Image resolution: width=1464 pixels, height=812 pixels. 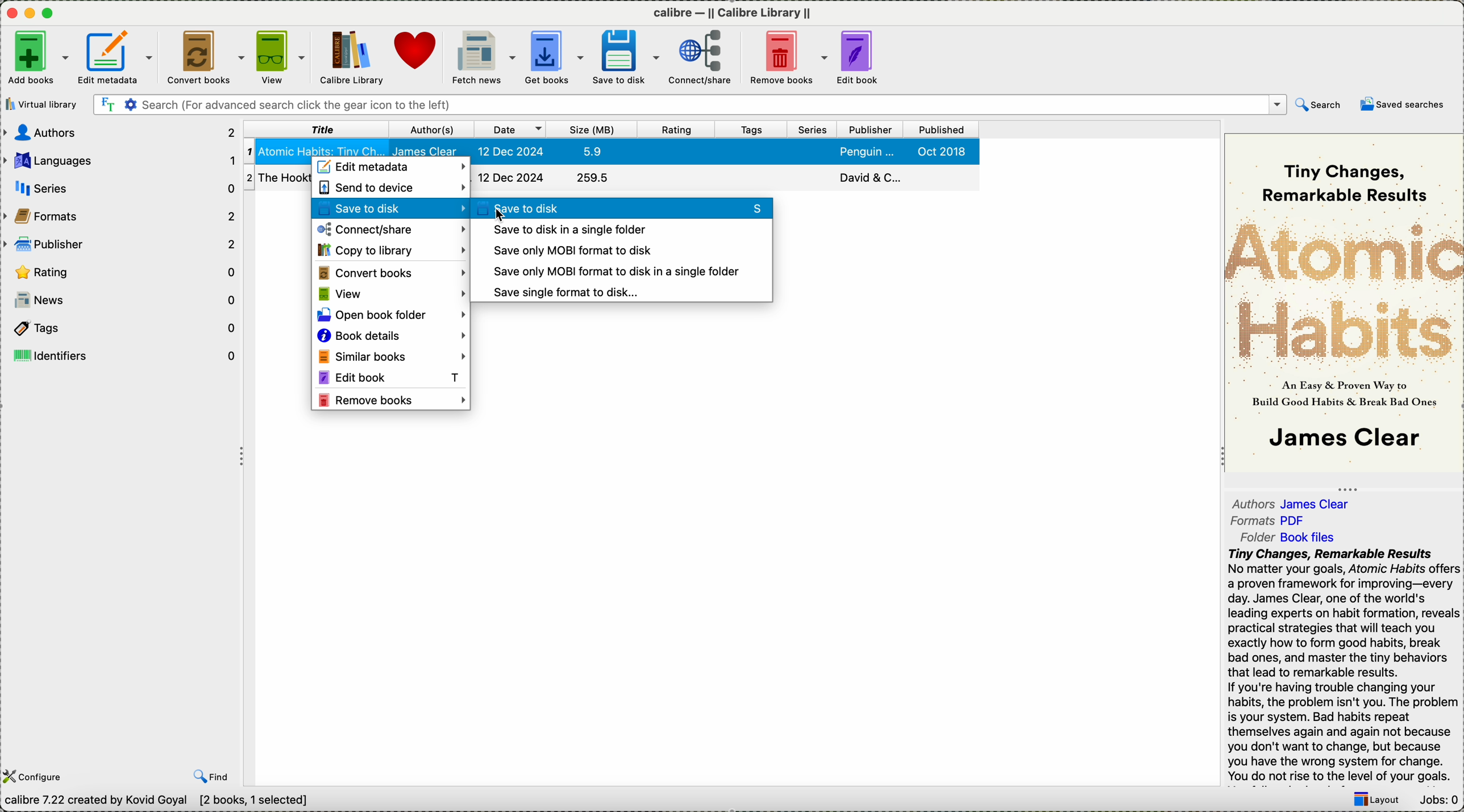 I want to click on edit book, so click(x=392, y=377).